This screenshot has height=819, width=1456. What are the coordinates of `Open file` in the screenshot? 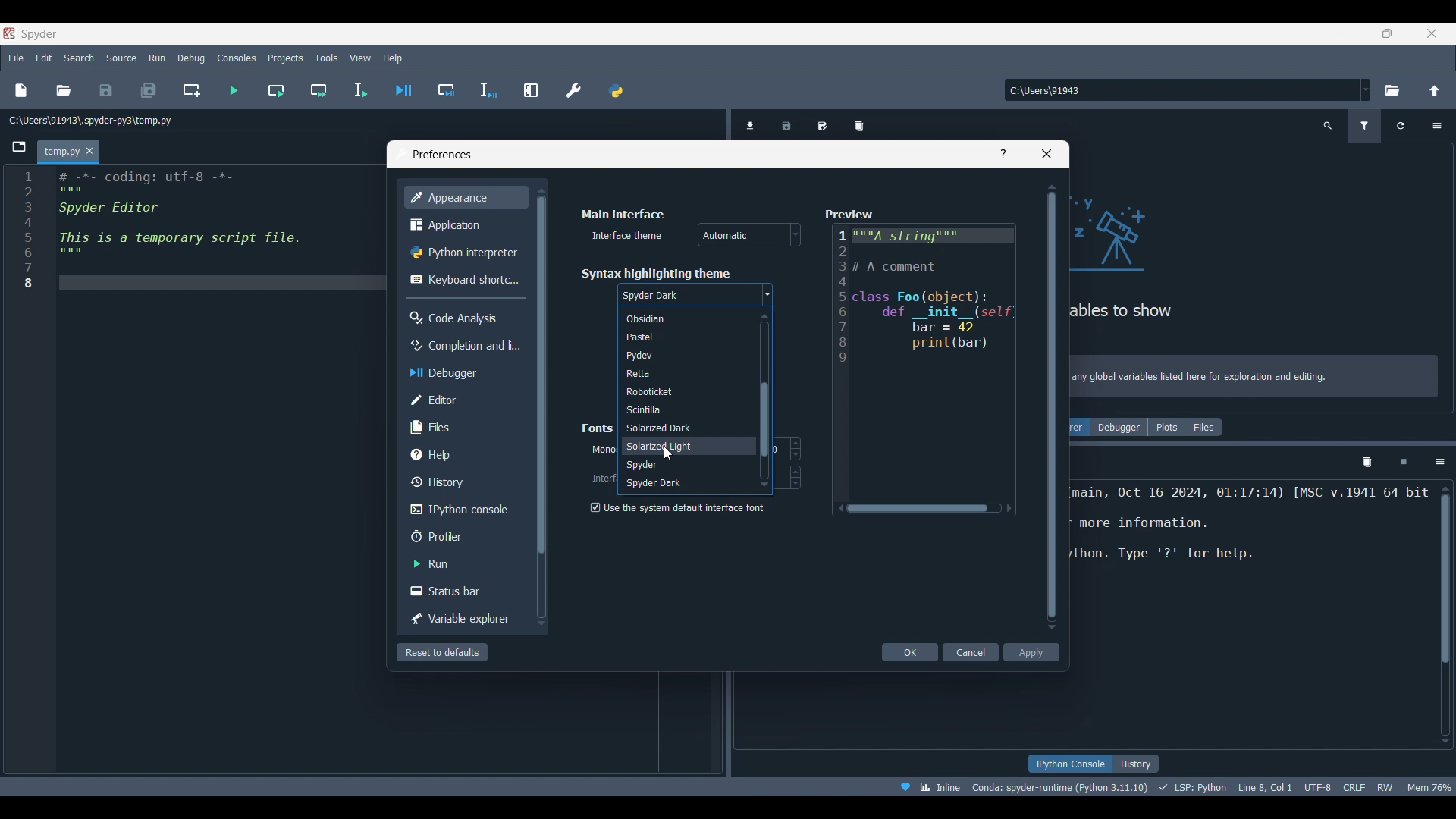 It's located at (64, 90).